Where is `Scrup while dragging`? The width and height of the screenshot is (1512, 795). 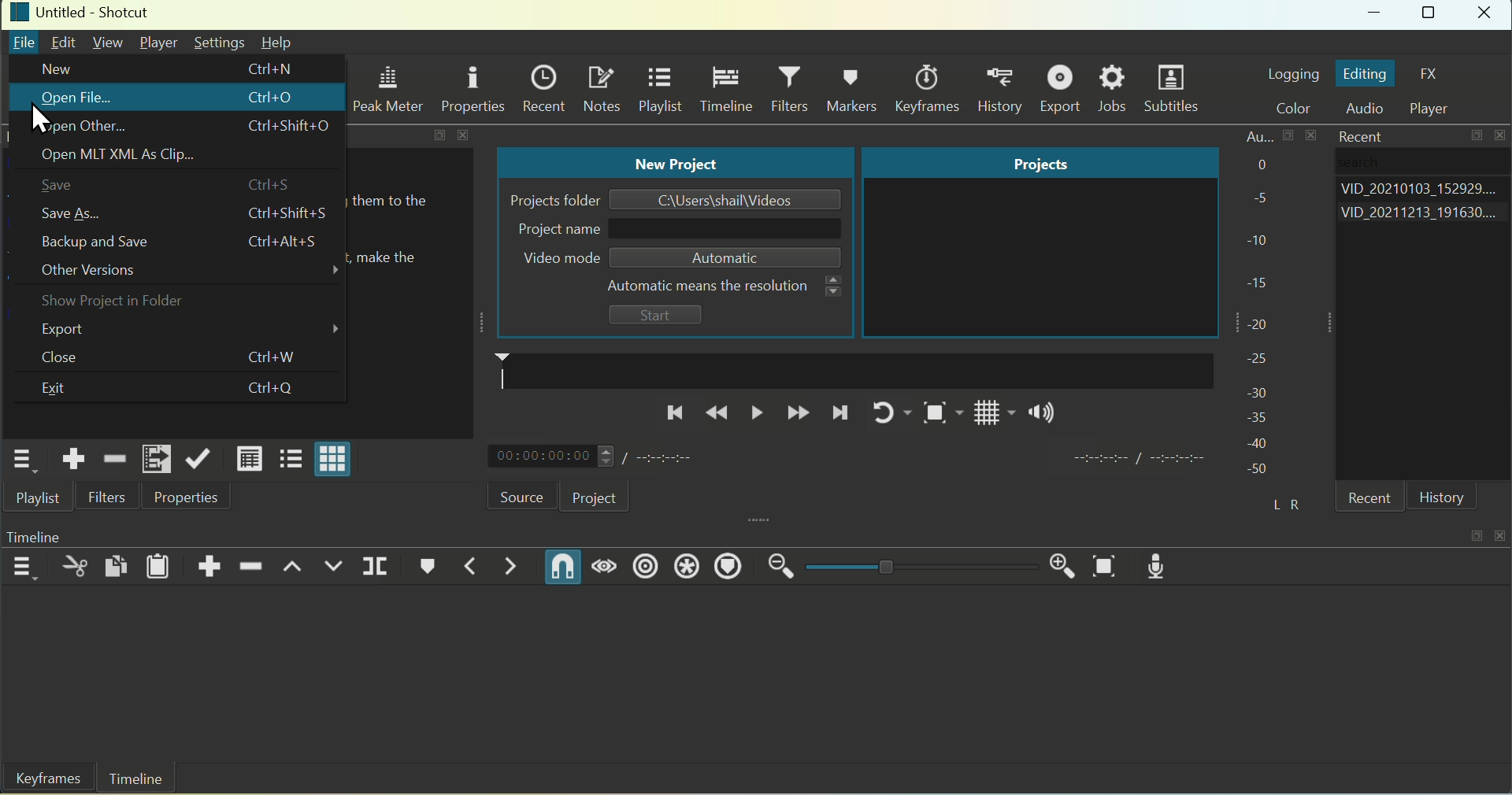 Scrup while dragging is located at coordinates (607, 568).